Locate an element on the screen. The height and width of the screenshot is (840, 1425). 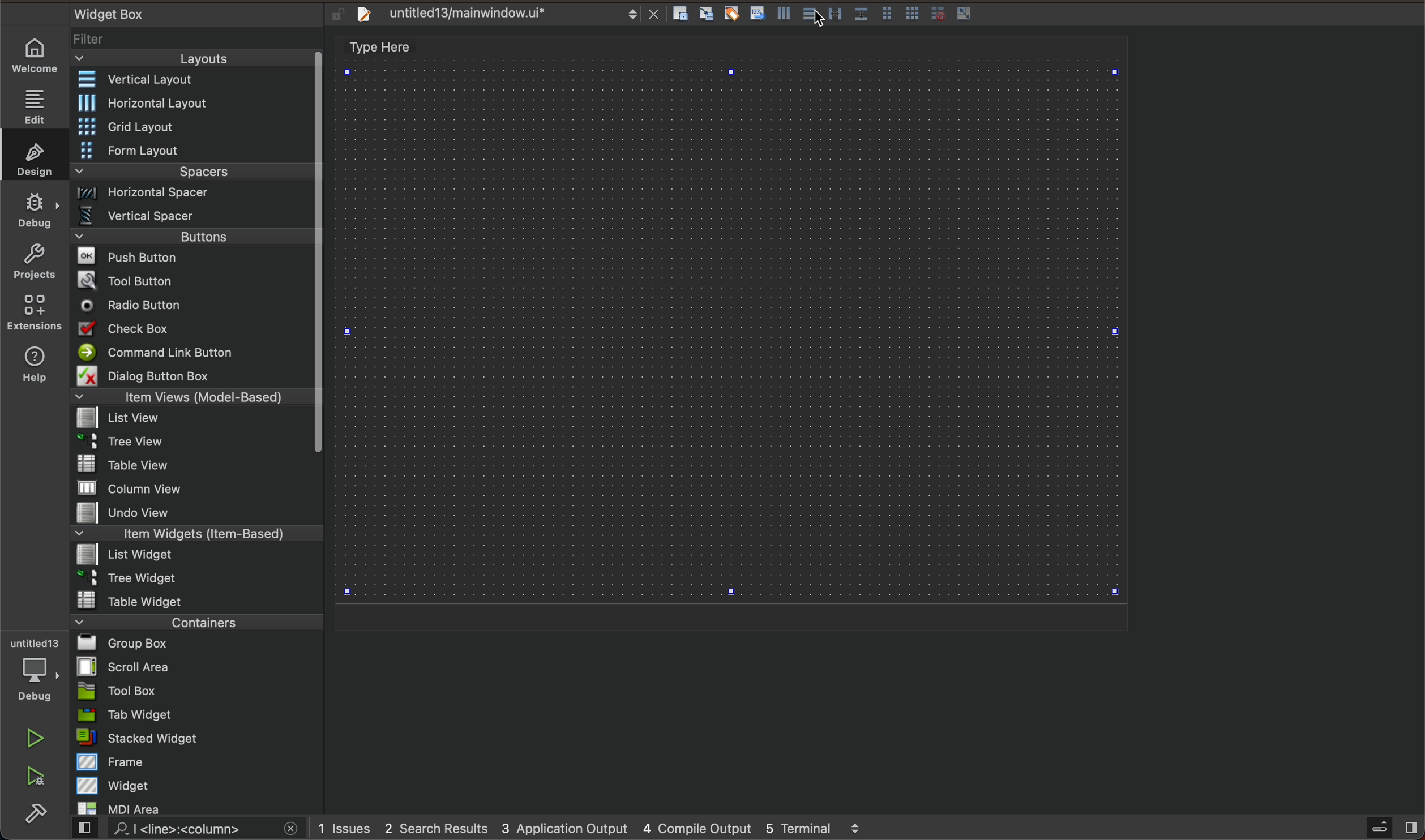
widget in center is located at coordinates (731, 336).